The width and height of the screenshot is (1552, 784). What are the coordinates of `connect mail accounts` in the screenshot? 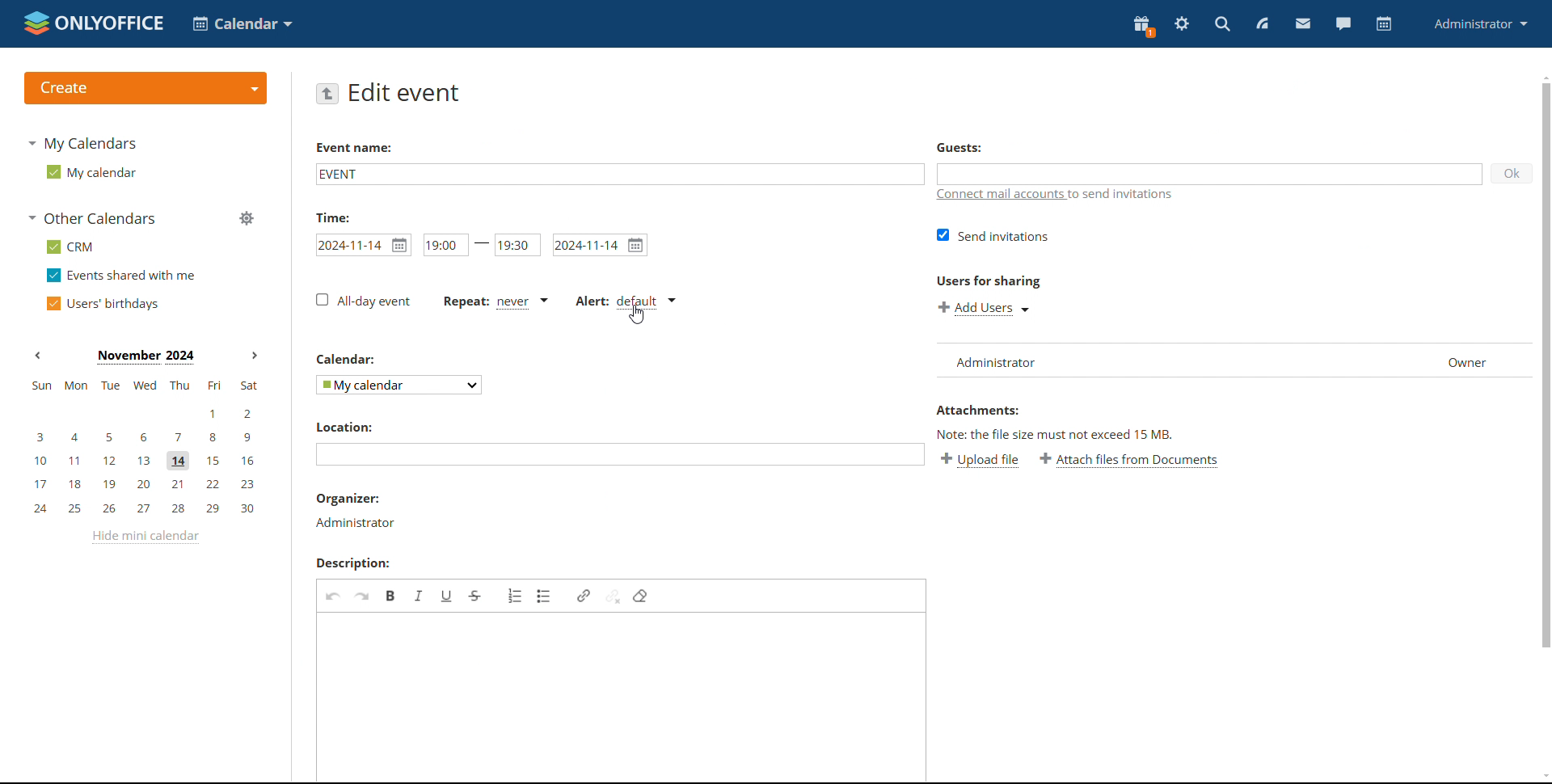 It's located at (1060, 195).